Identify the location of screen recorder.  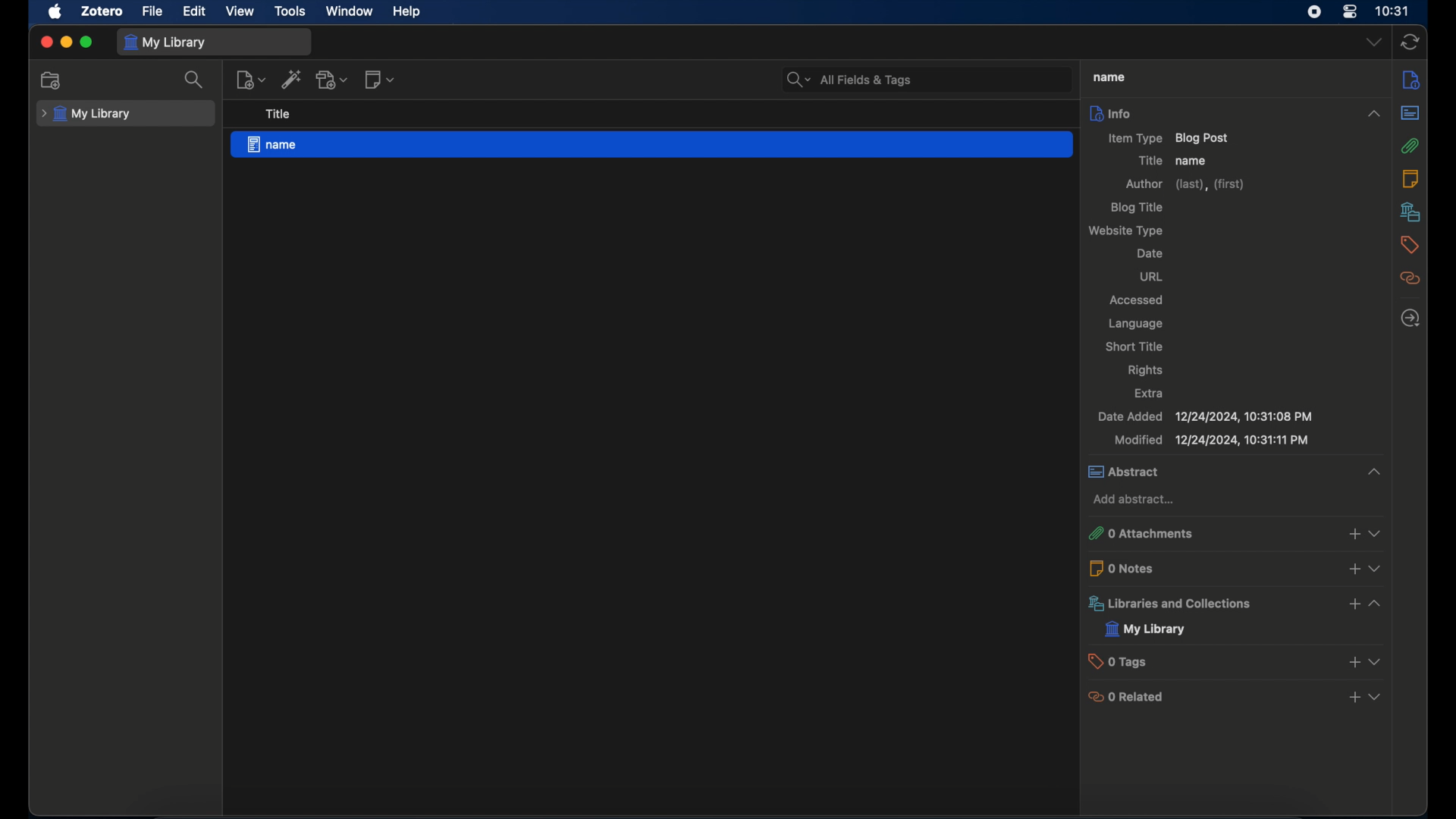
(1314, 11).